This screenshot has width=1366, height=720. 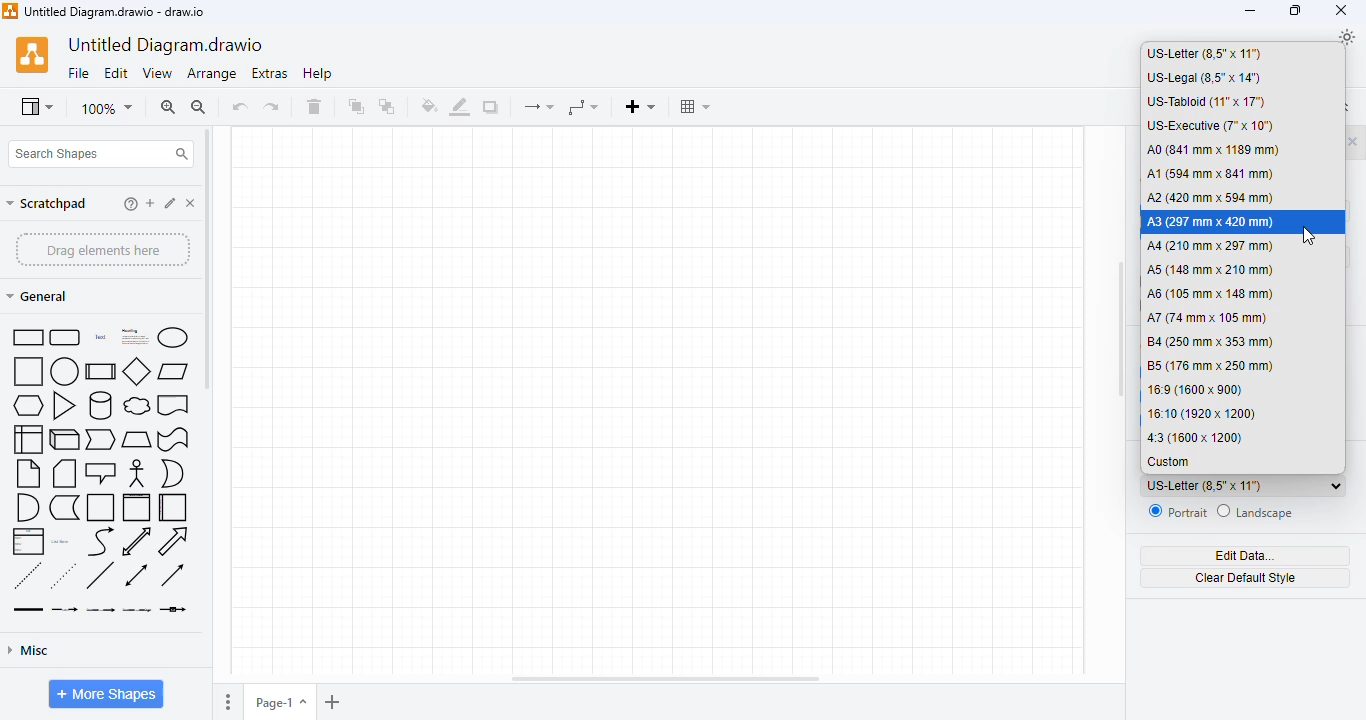 I want to click on dotted line, so click(x=63, y=575).